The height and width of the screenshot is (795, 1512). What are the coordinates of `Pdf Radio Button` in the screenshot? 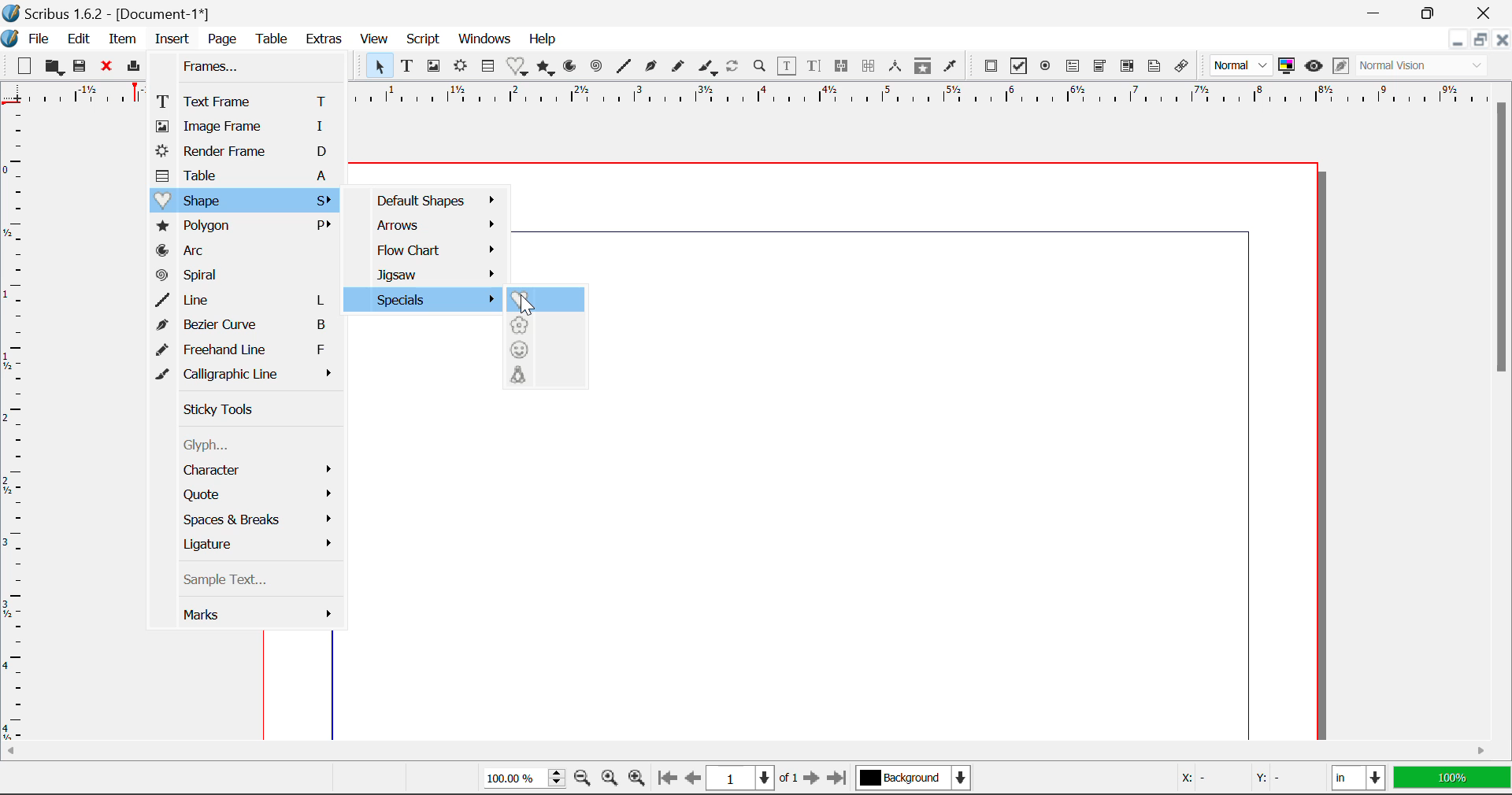 It's located at (1047, 68).